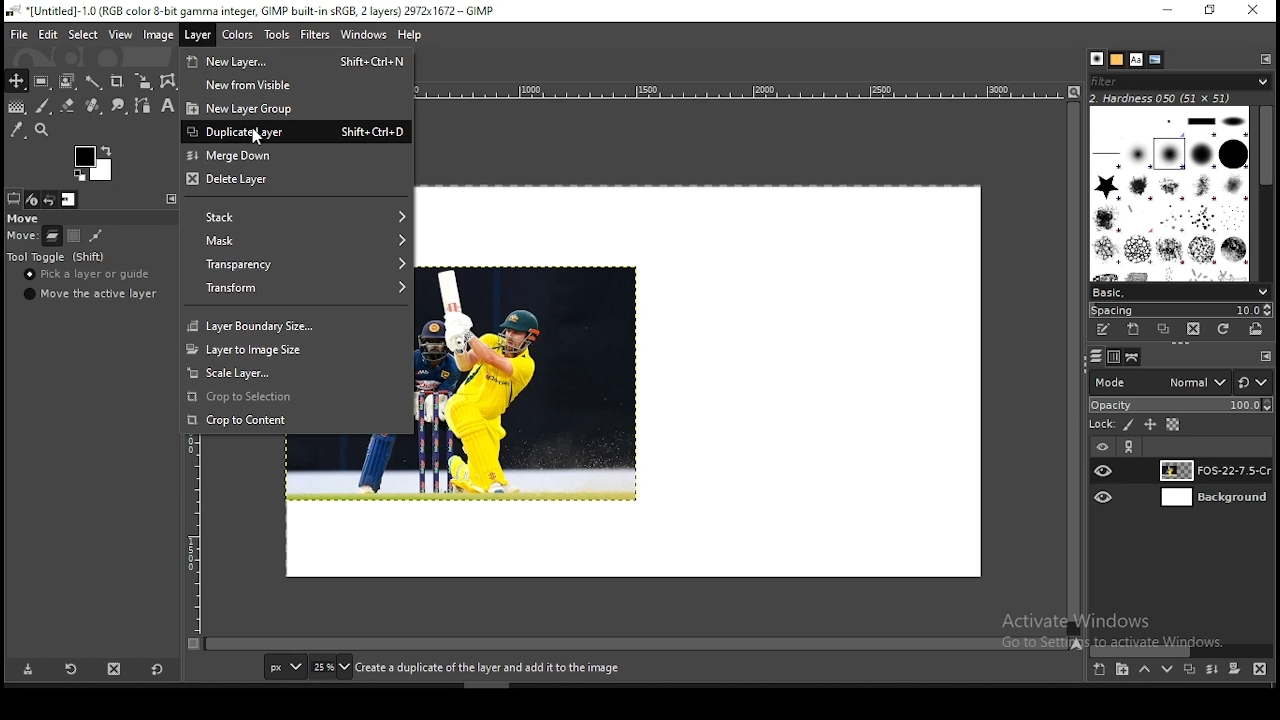 This screenshot has height=720, width=1280. What do you see at coordinates (17, 129) in the screenshot?
I see `color picker tool` at bounding box center [17, 129].